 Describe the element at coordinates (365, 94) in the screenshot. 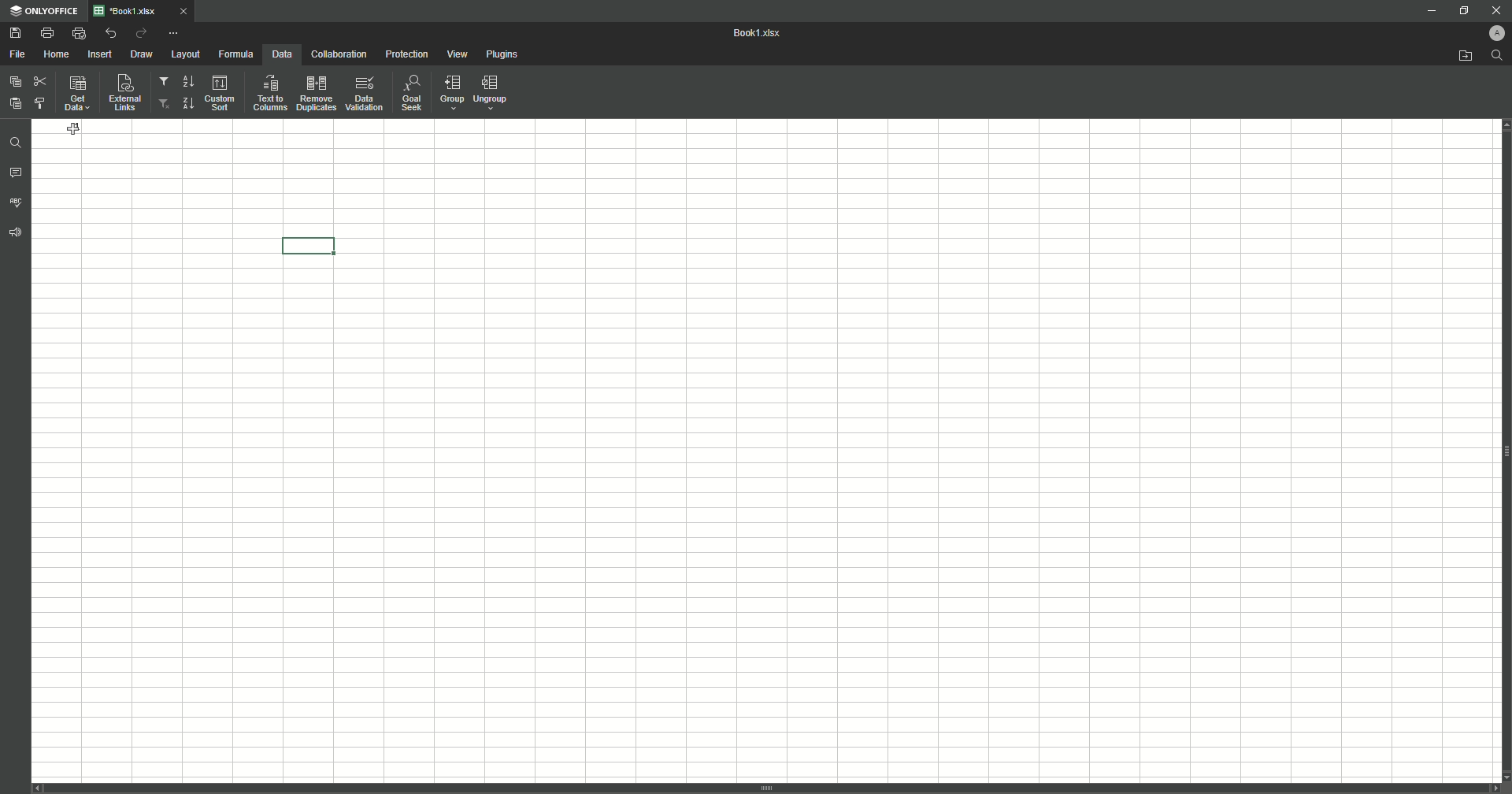

I see `Data Validation` at that location.